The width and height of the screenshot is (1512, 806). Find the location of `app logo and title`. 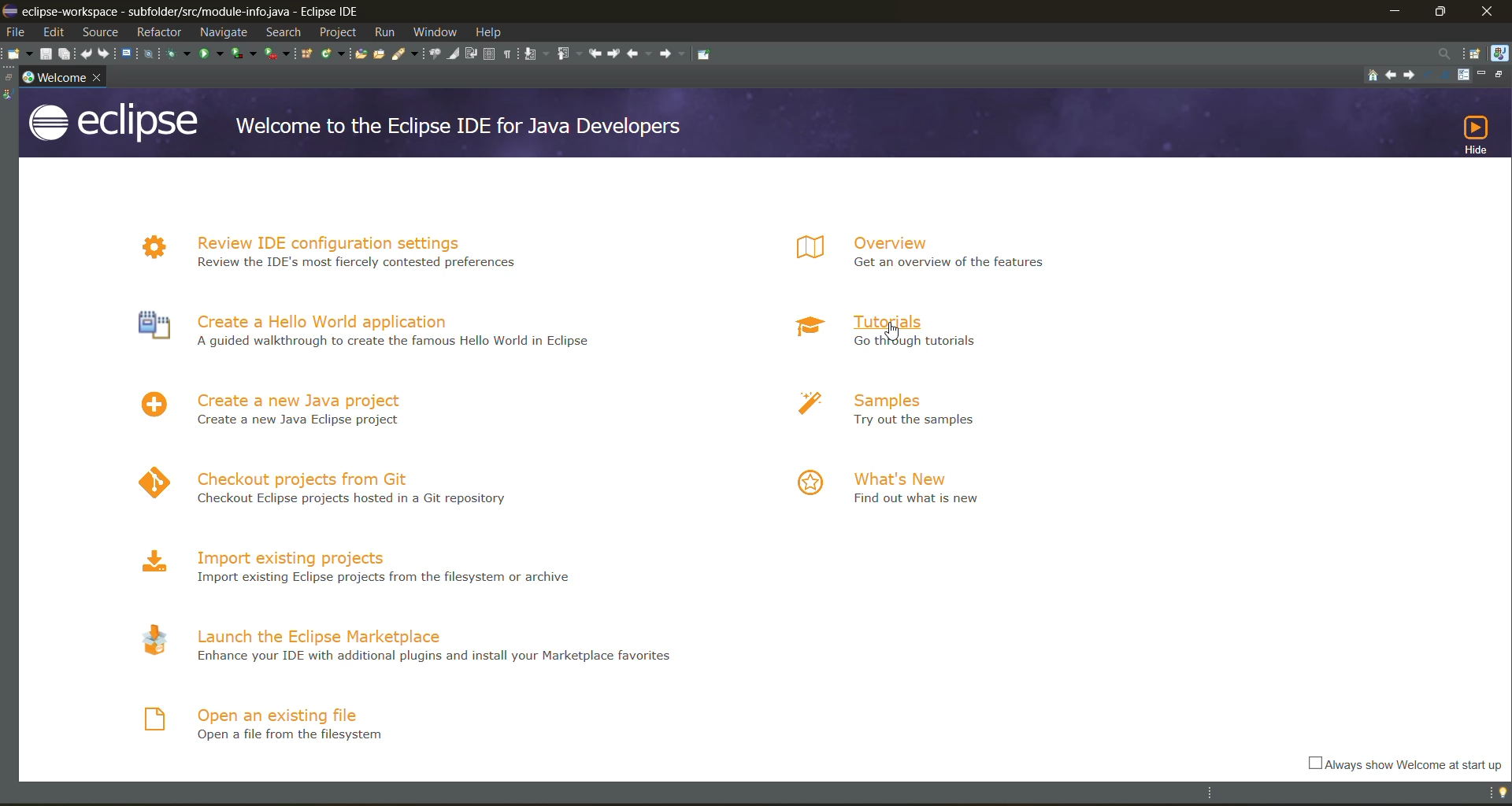

app logo and title is located at coordinates (117, 126).